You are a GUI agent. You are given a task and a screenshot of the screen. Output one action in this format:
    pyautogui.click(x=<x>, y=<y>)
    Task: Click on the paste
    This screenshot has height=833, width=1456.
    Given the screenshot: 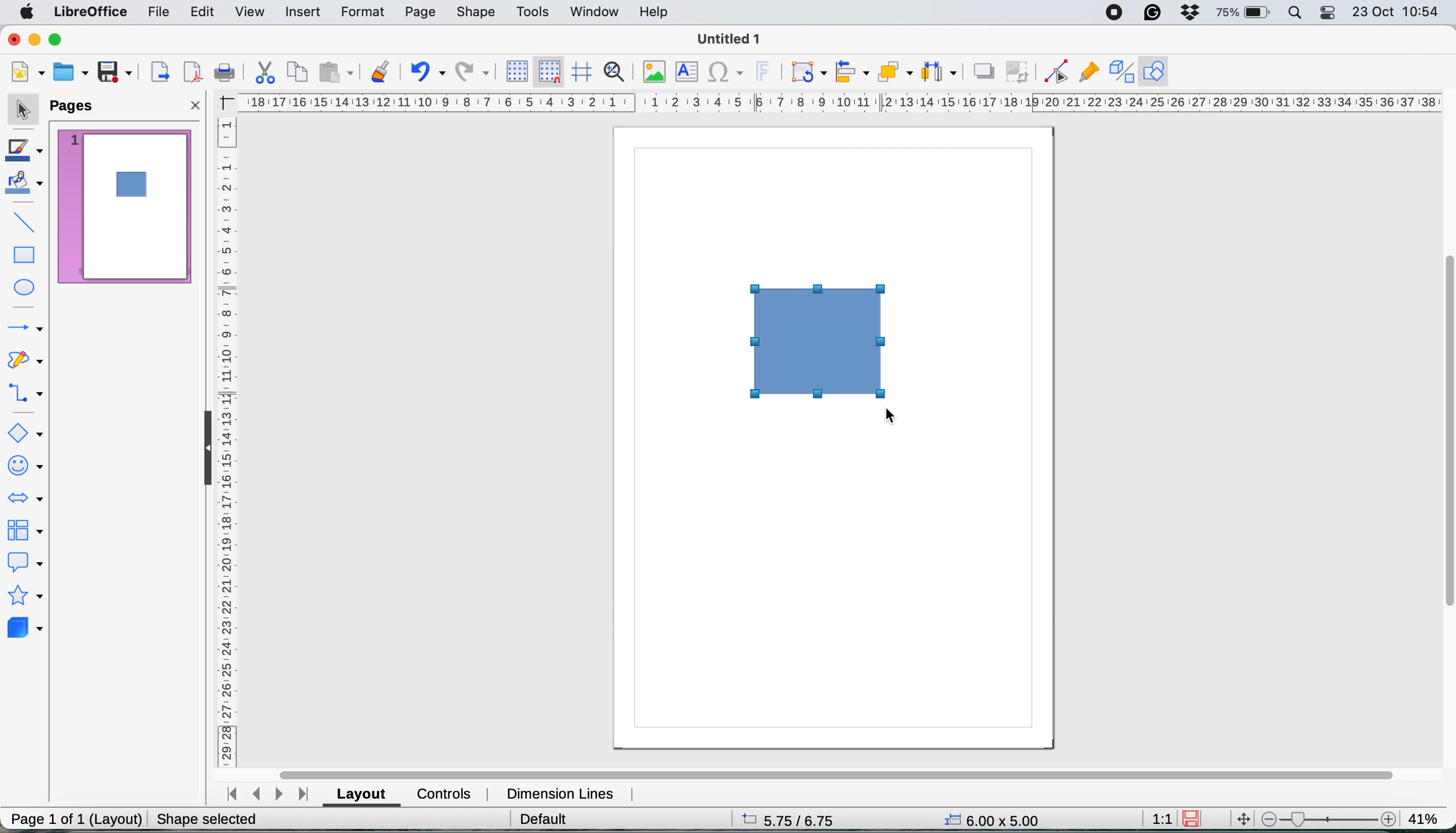 What is the action you would take?
    pyautogui.click(x=338, y=73)
    